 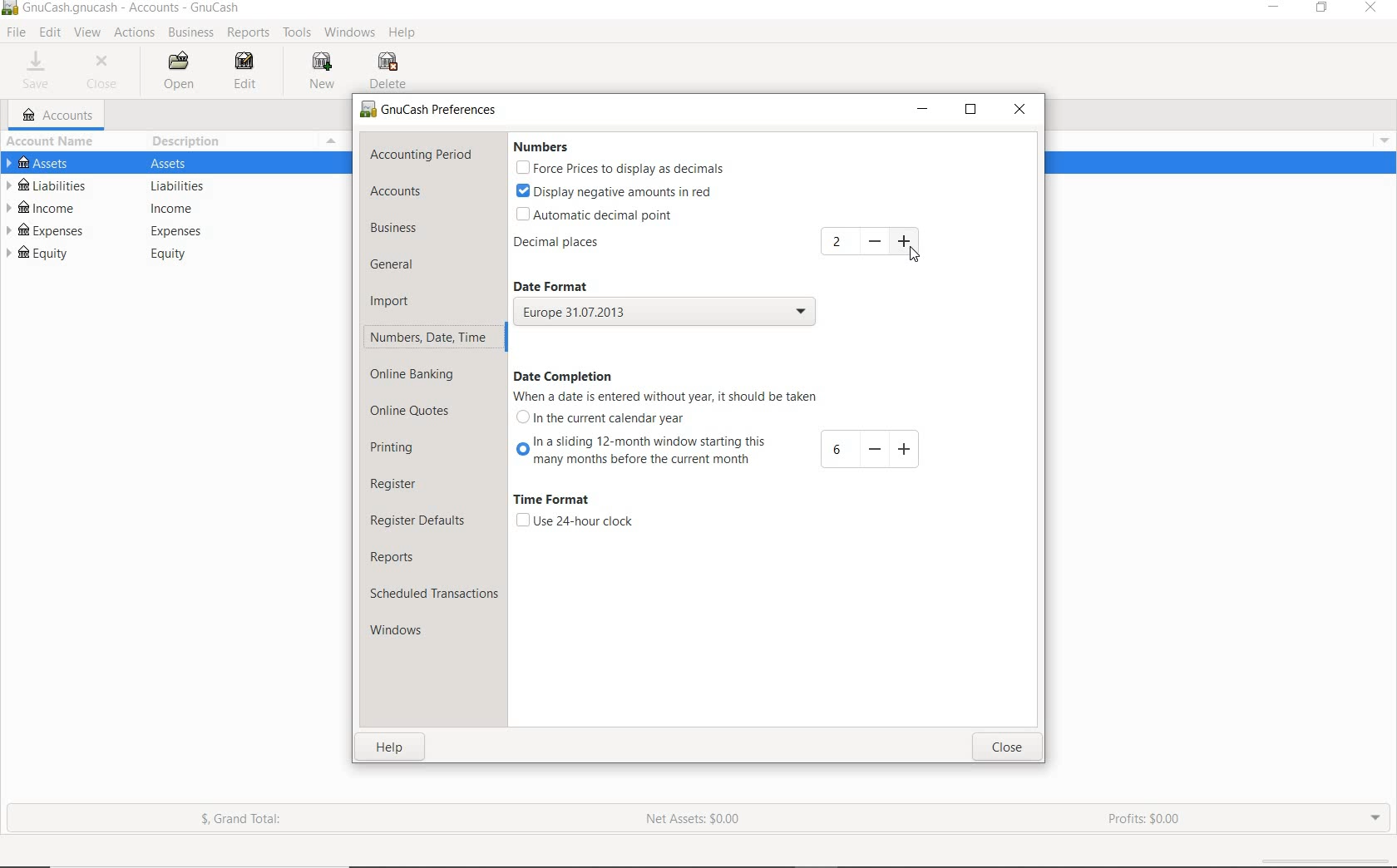 What do you see at coordinates (340, 141) in the screenshot?
I see `TOTAL` at bounding box center [340, 141].